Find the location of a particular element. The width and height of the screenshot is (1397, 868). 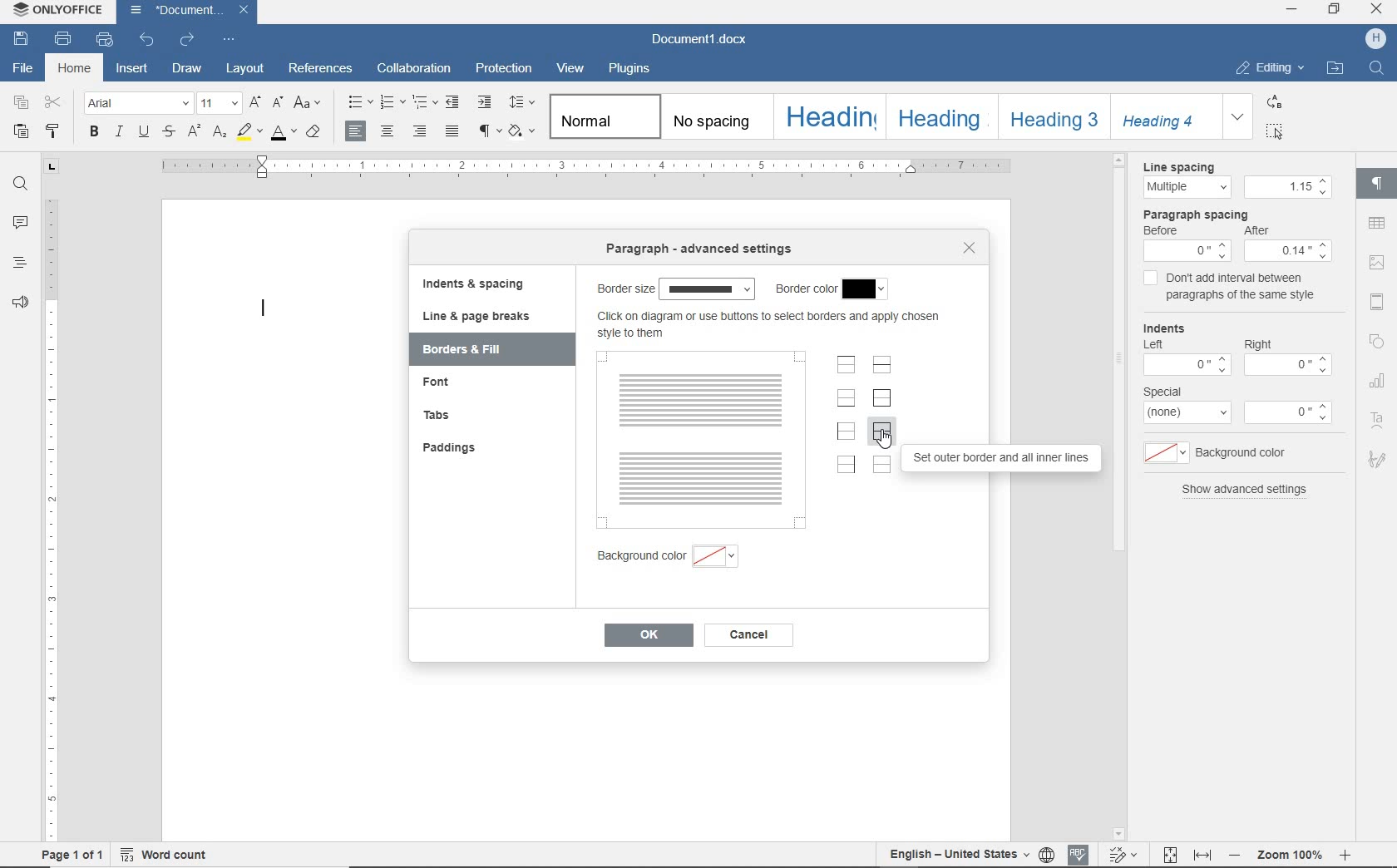

preview border selection is located at coordinates (708, 441).